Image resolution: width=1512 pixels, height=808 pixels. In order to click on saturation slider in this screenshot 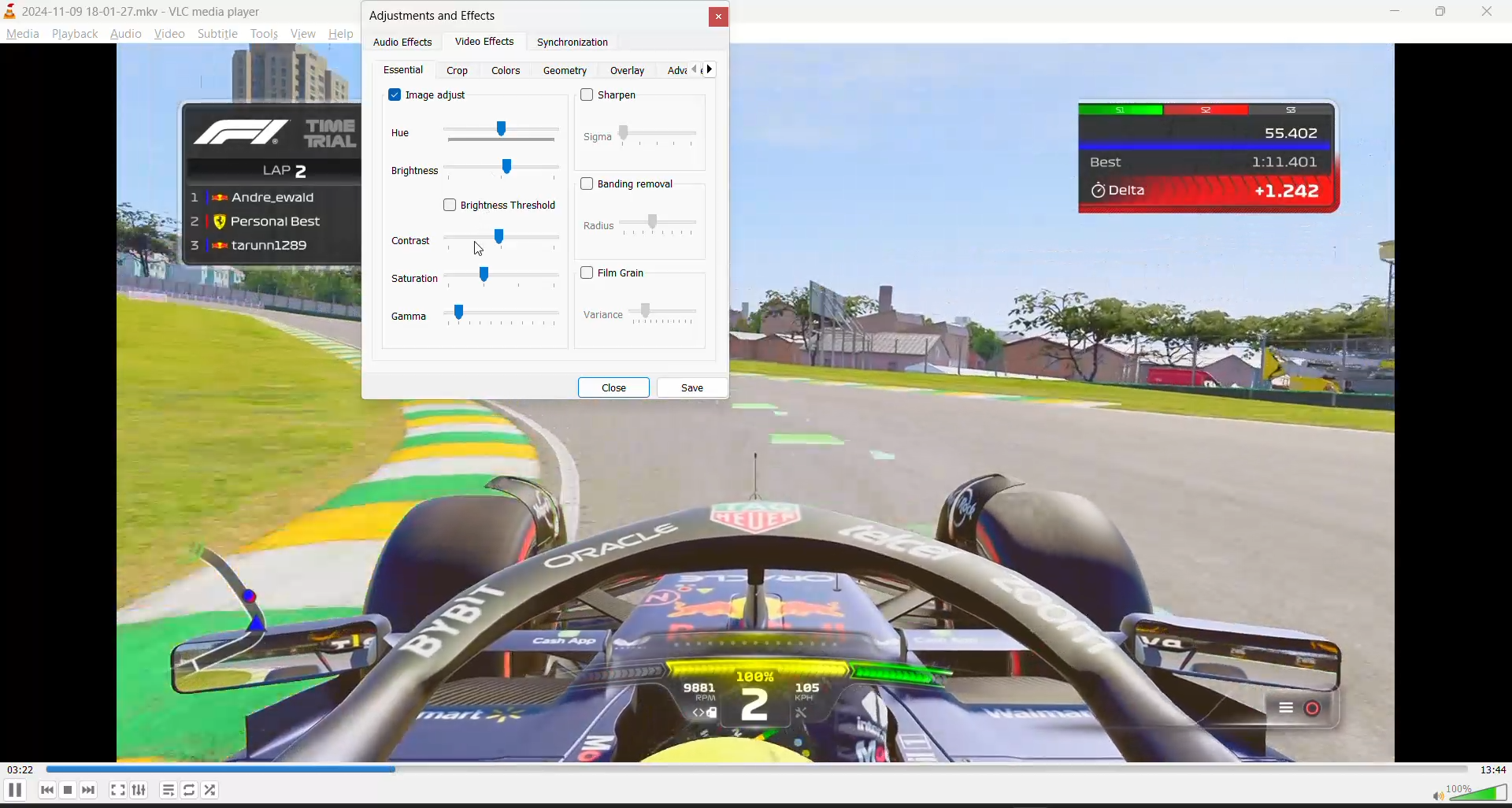, I will do `click(504, 278)`.